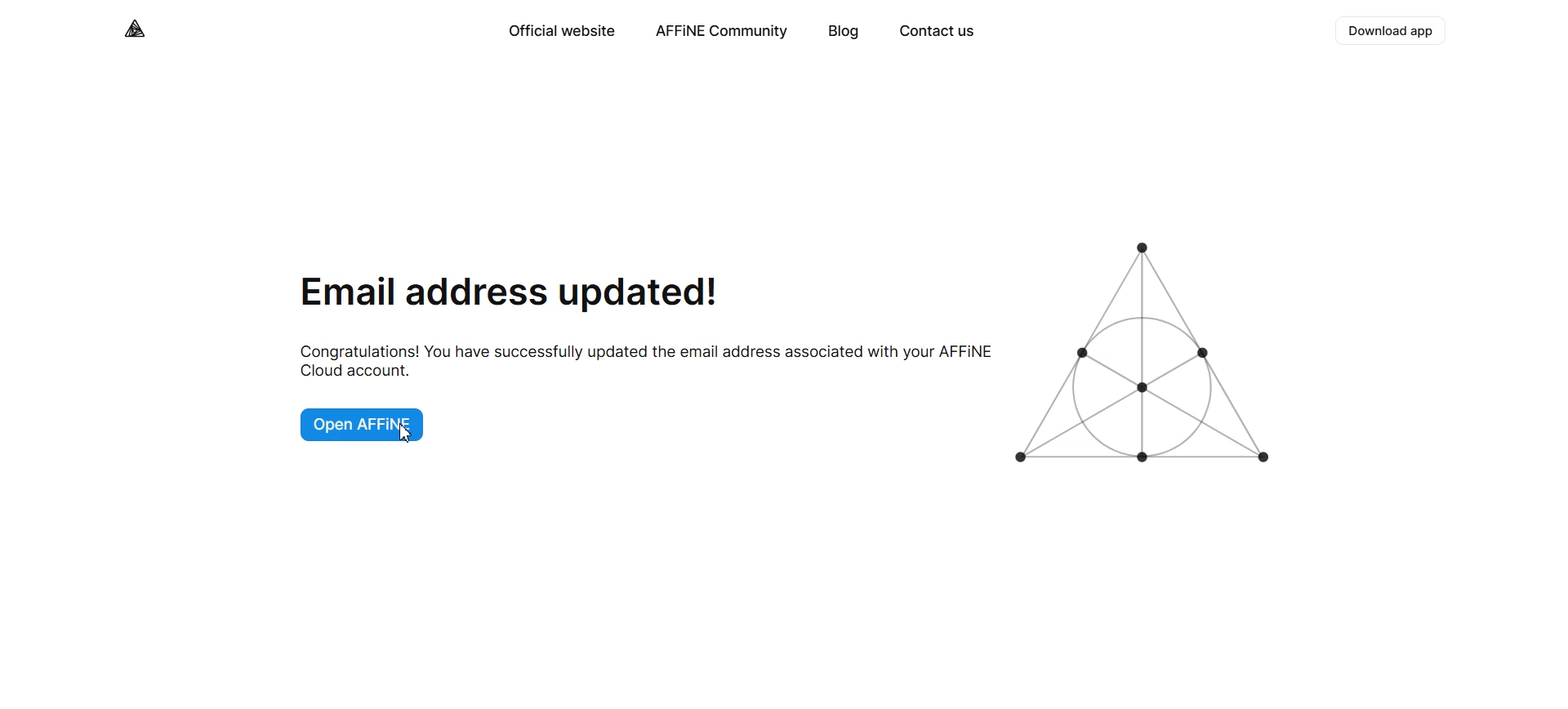  Describe the element at coordinates (722, 32) in the screenshot. I see `AFFiNE Community` at that location.